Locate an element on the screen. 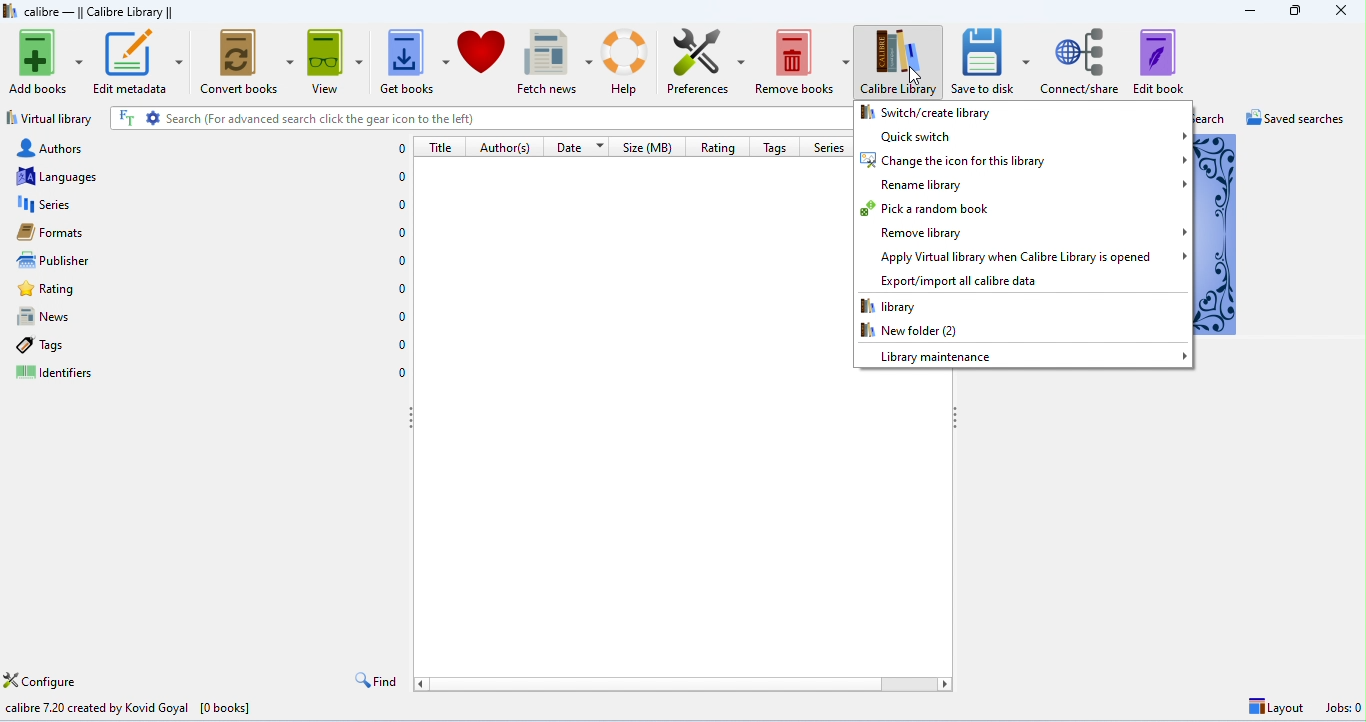 The height and width of the screenshot is (722, 1366). new folder (2) is located at coordinates (1019, 332).